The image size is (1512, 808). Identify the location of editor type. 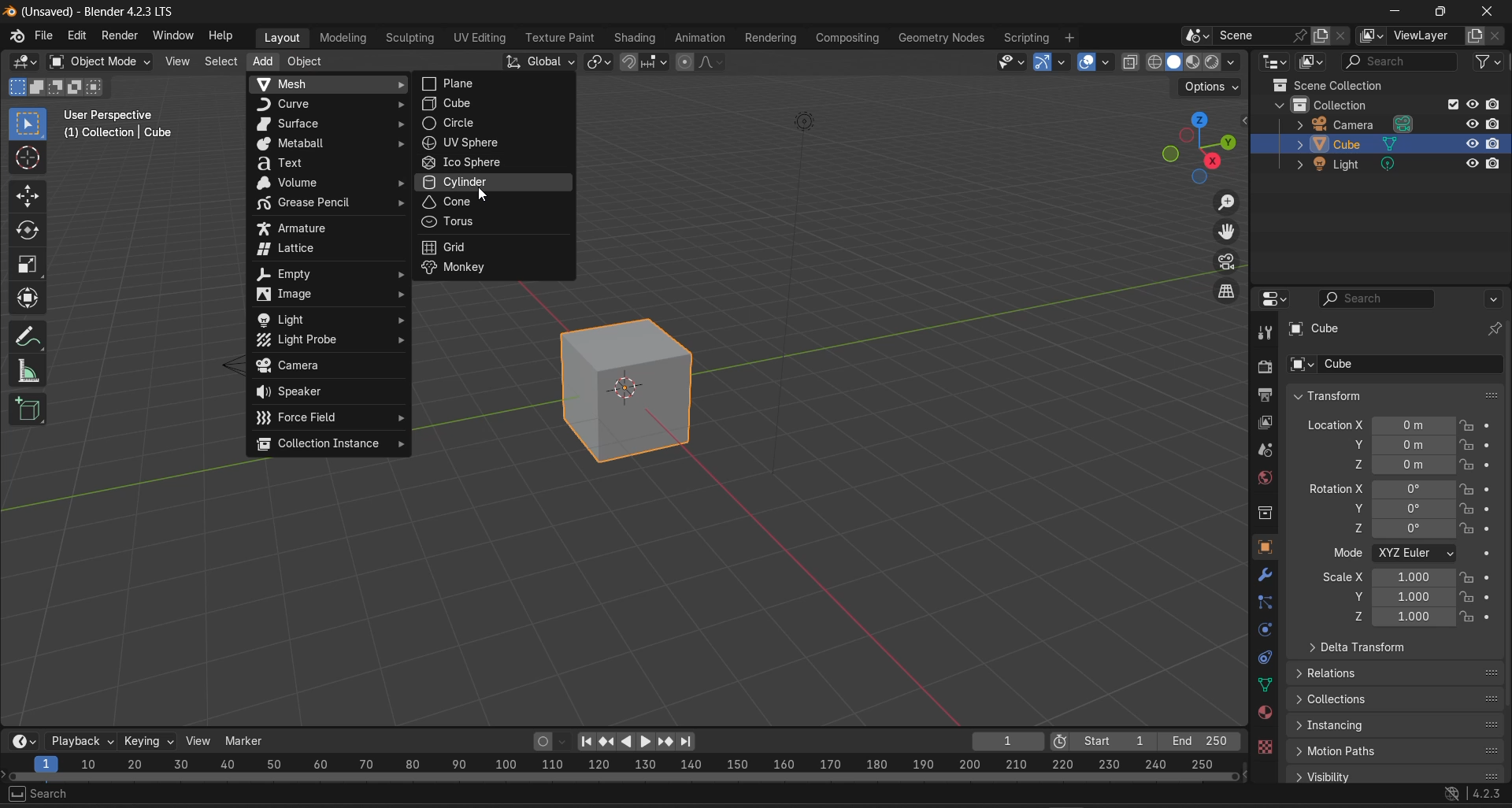
(1273, 62).